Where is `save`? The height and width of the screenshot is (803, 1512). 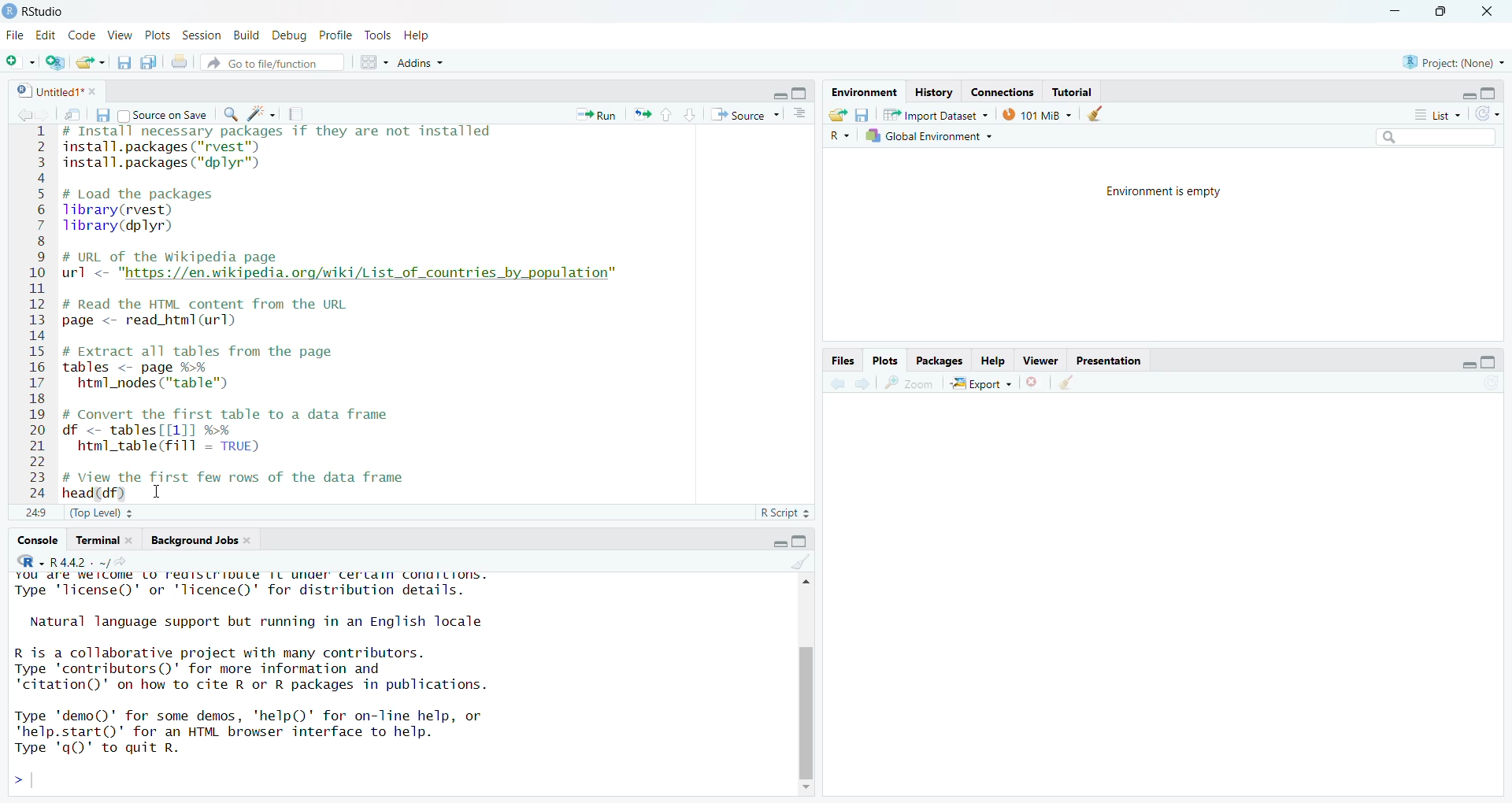
save is located at coordinates (862, 115).